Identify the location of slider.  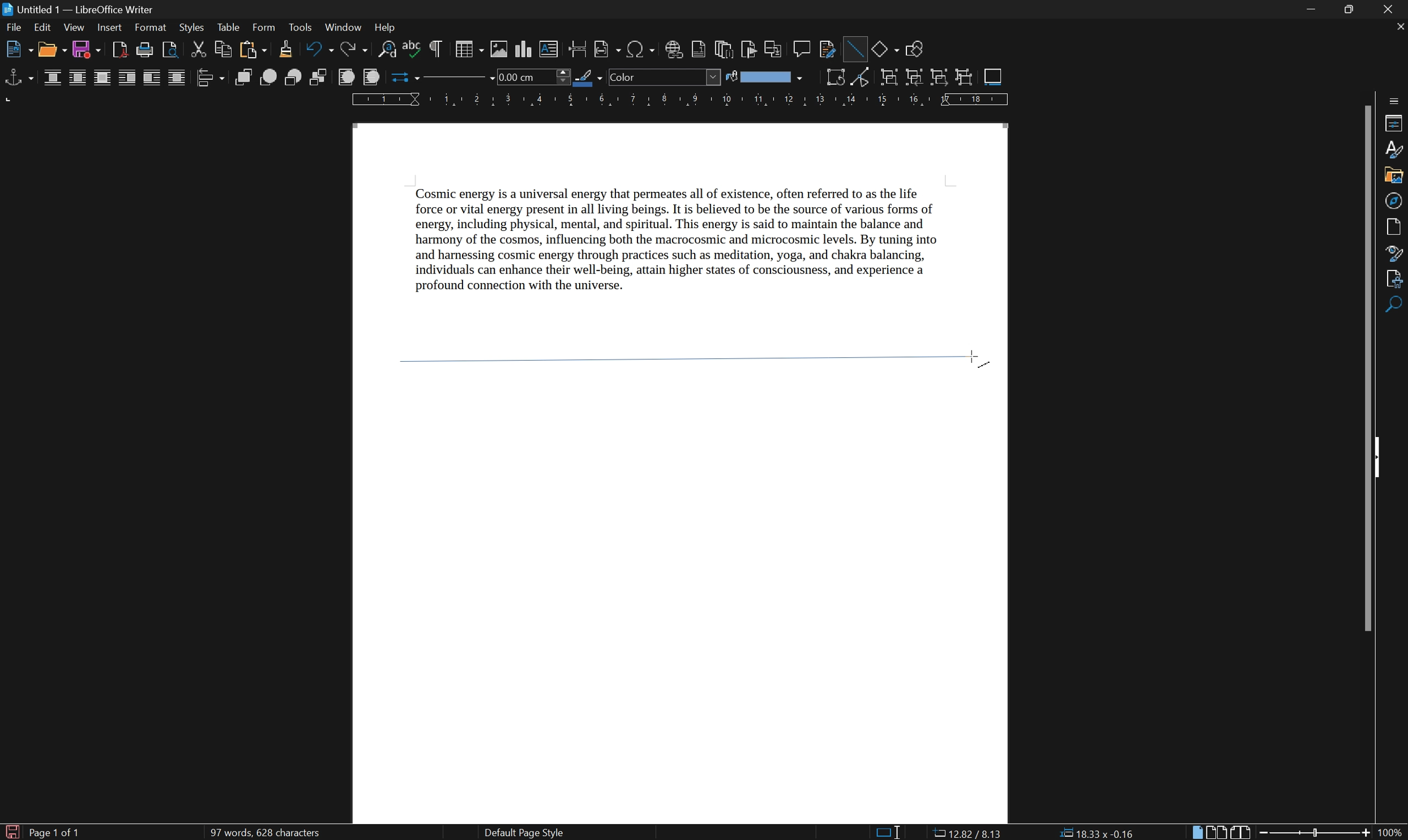
(1317, 832).